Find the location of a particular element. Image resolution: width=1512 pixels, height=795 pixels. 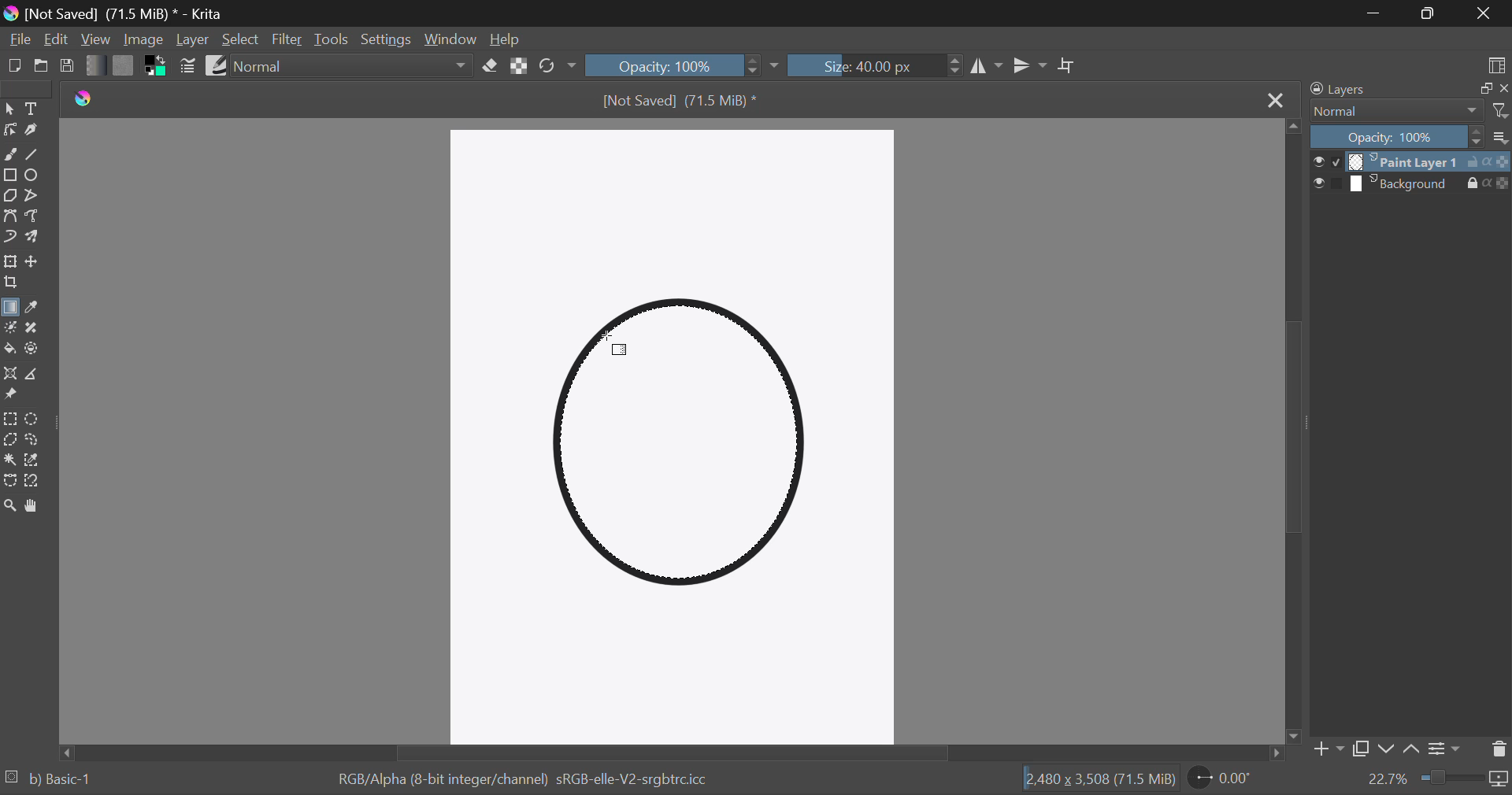

Vertical Mirror Flip is located at coordinates (988, 66).